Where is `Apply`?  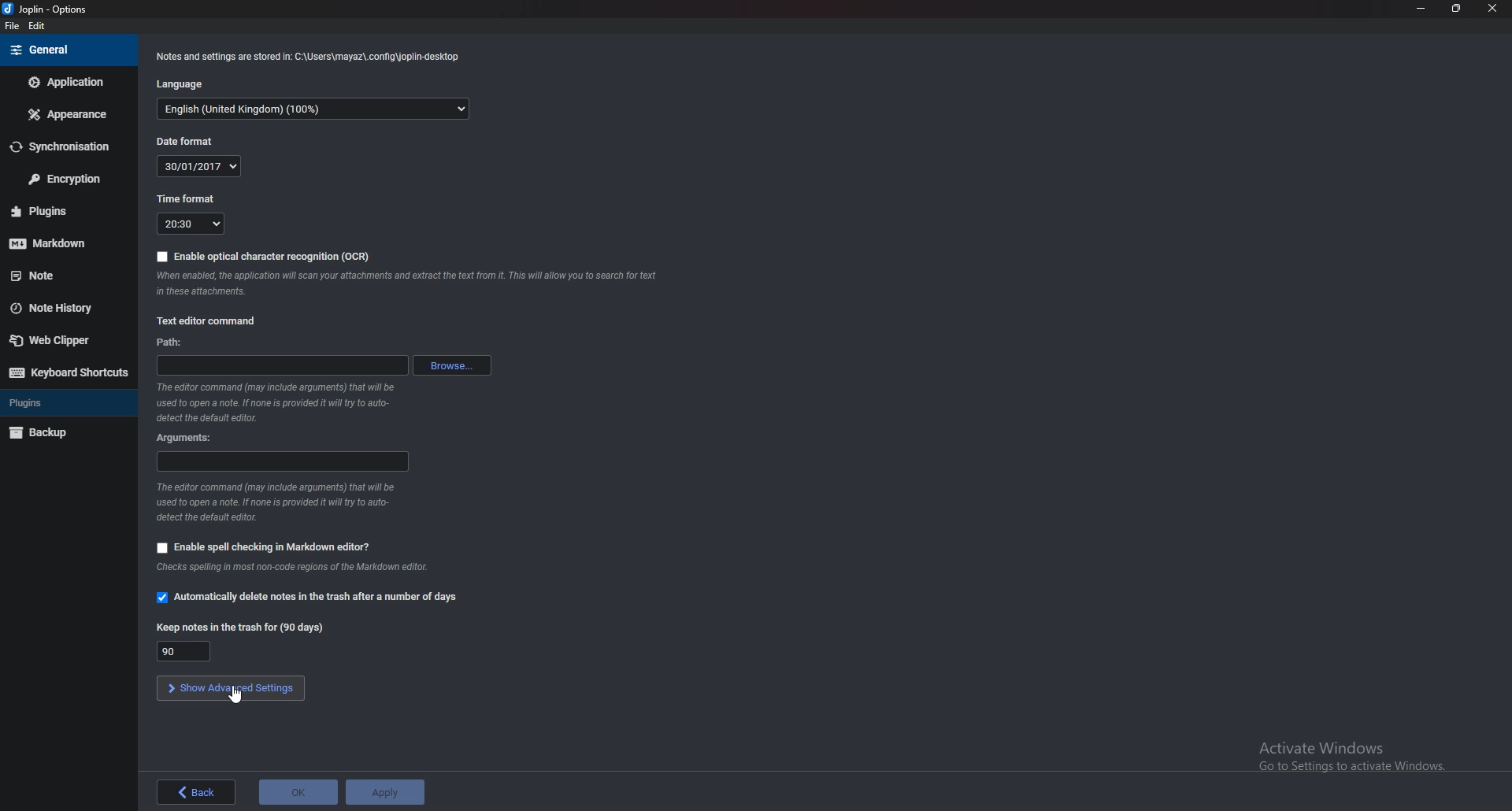
Apply is located at coordinates (385, 793).